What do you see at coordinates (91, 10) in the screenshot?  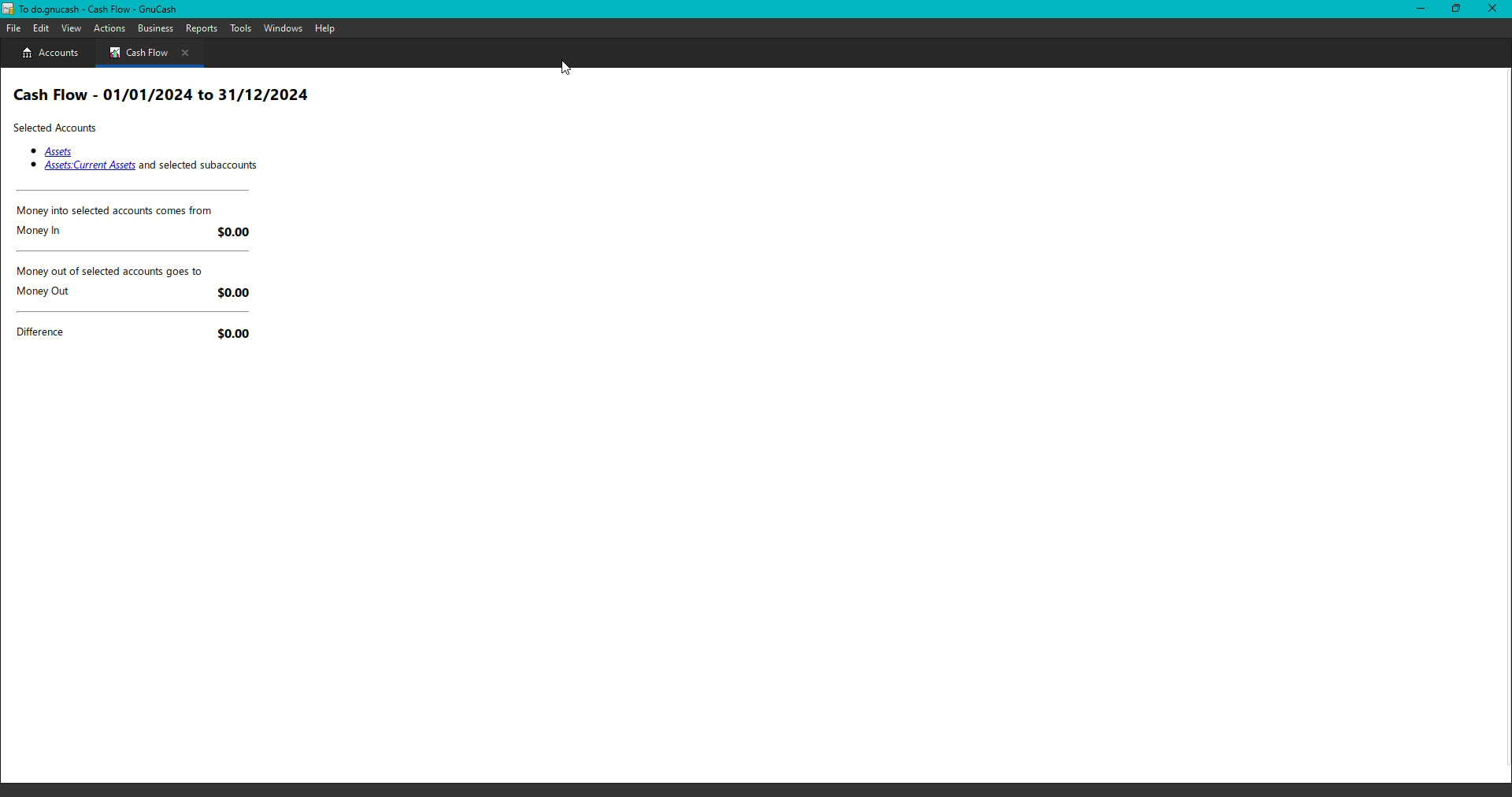 I see `GnuCash` at bounding box center [91, 10].